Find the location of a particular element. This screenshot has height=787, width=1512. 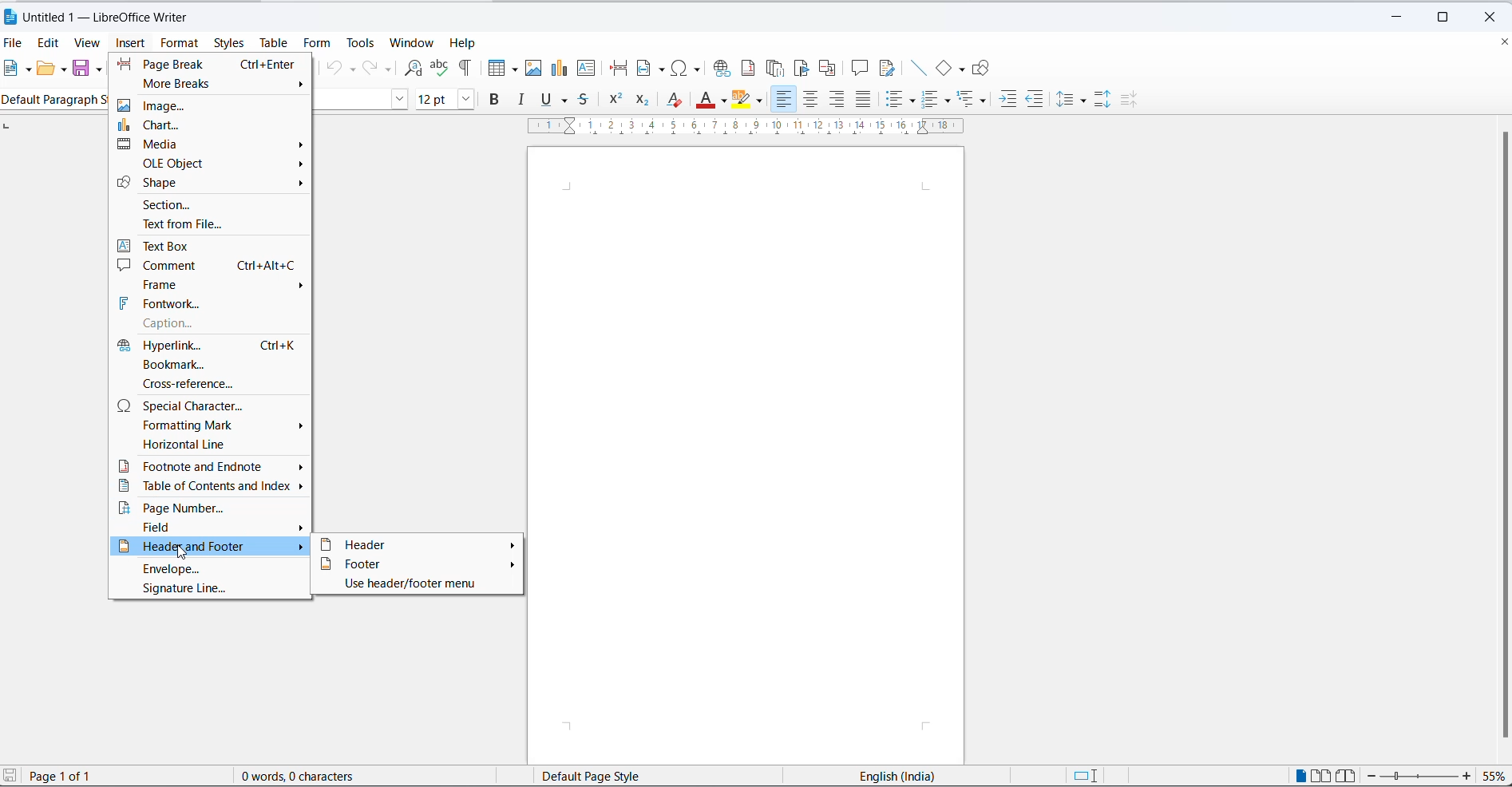

bold is located at coordinates (498, 100).